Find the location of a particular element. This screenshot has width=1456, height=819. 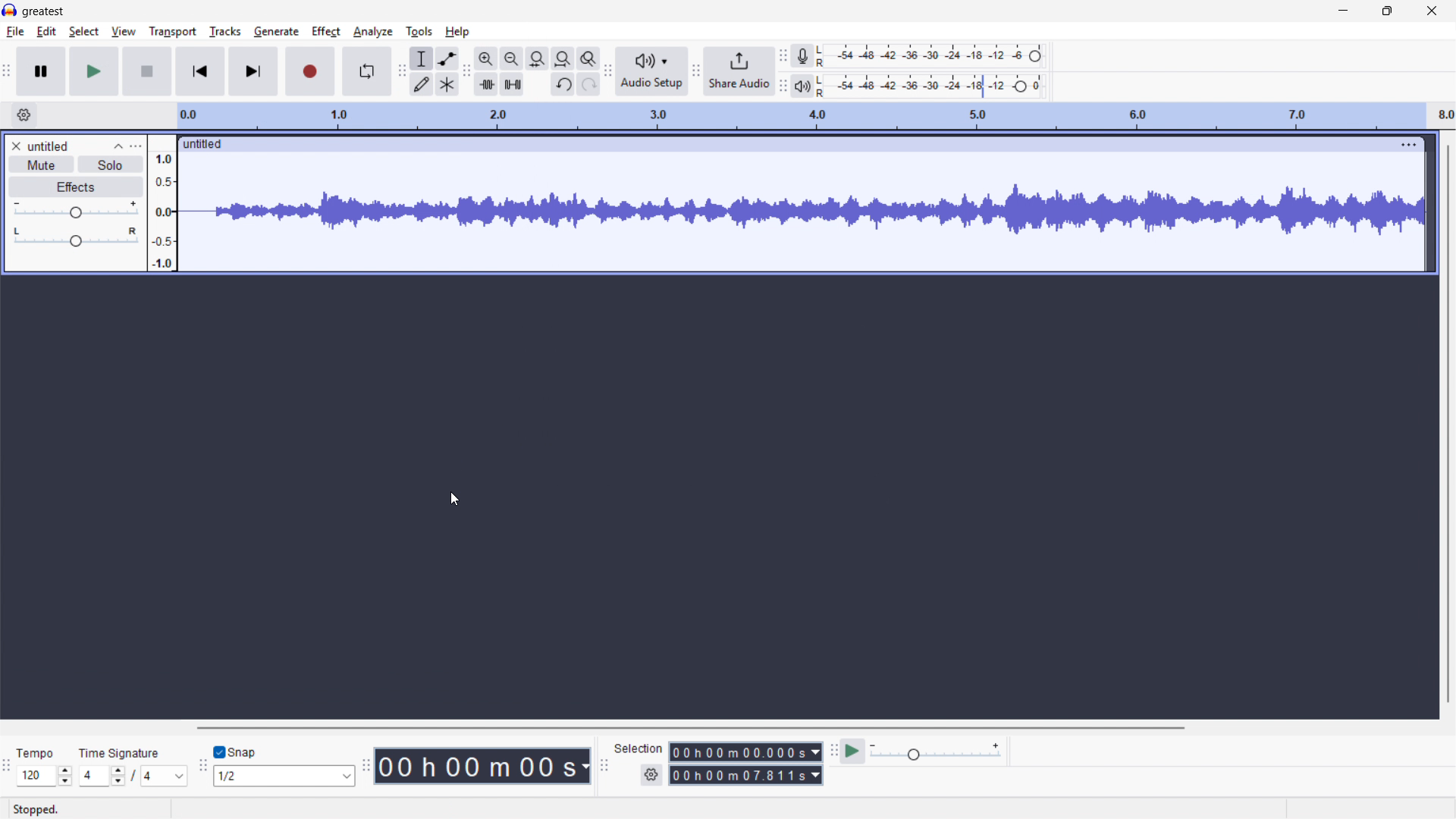

multi-tool is located at coordinates (446, 85).